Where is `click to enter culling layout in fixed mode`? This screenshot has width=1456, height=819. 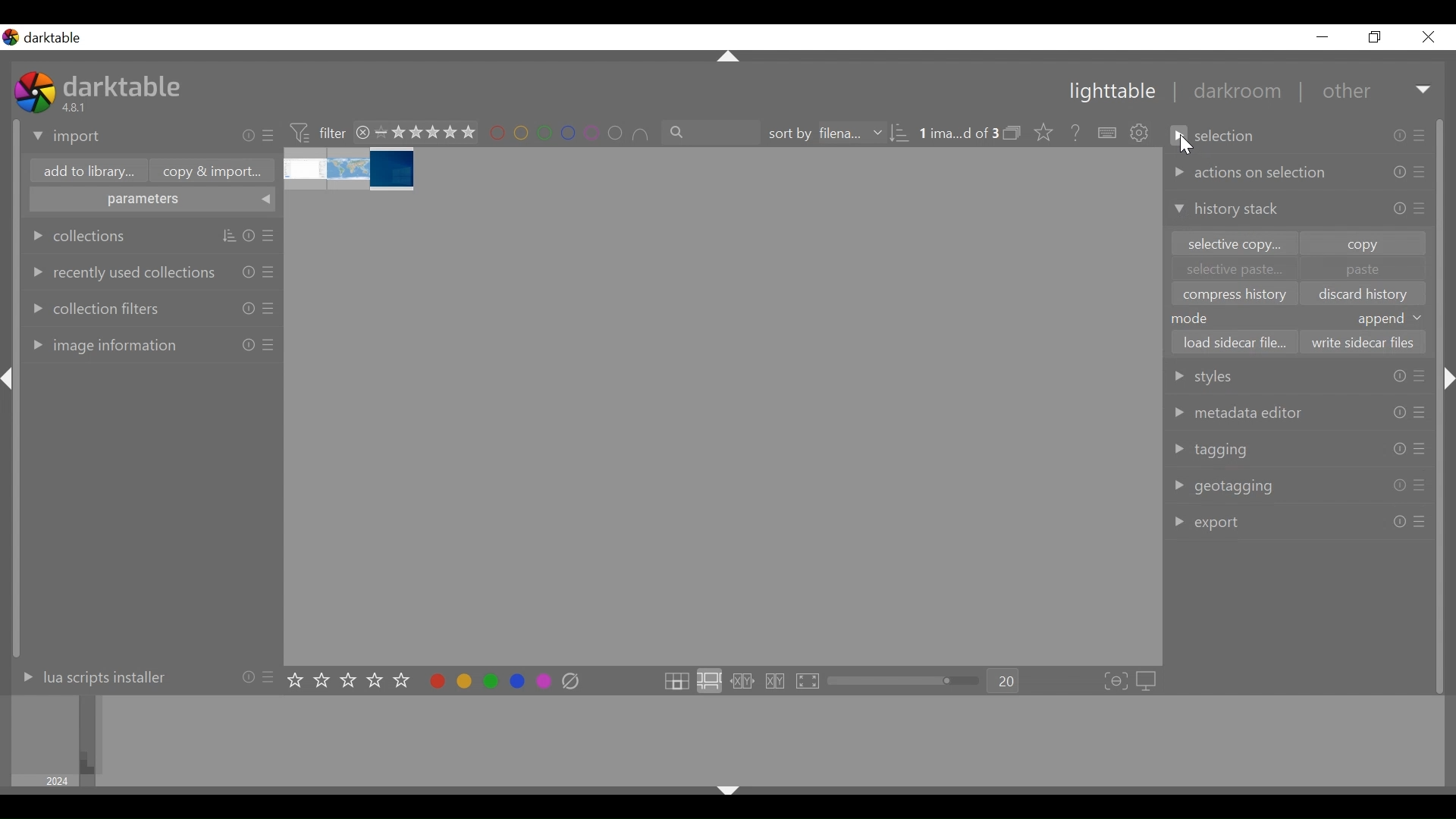 click to enter culling layout in fixed mode is located at coordinates (743, 682).